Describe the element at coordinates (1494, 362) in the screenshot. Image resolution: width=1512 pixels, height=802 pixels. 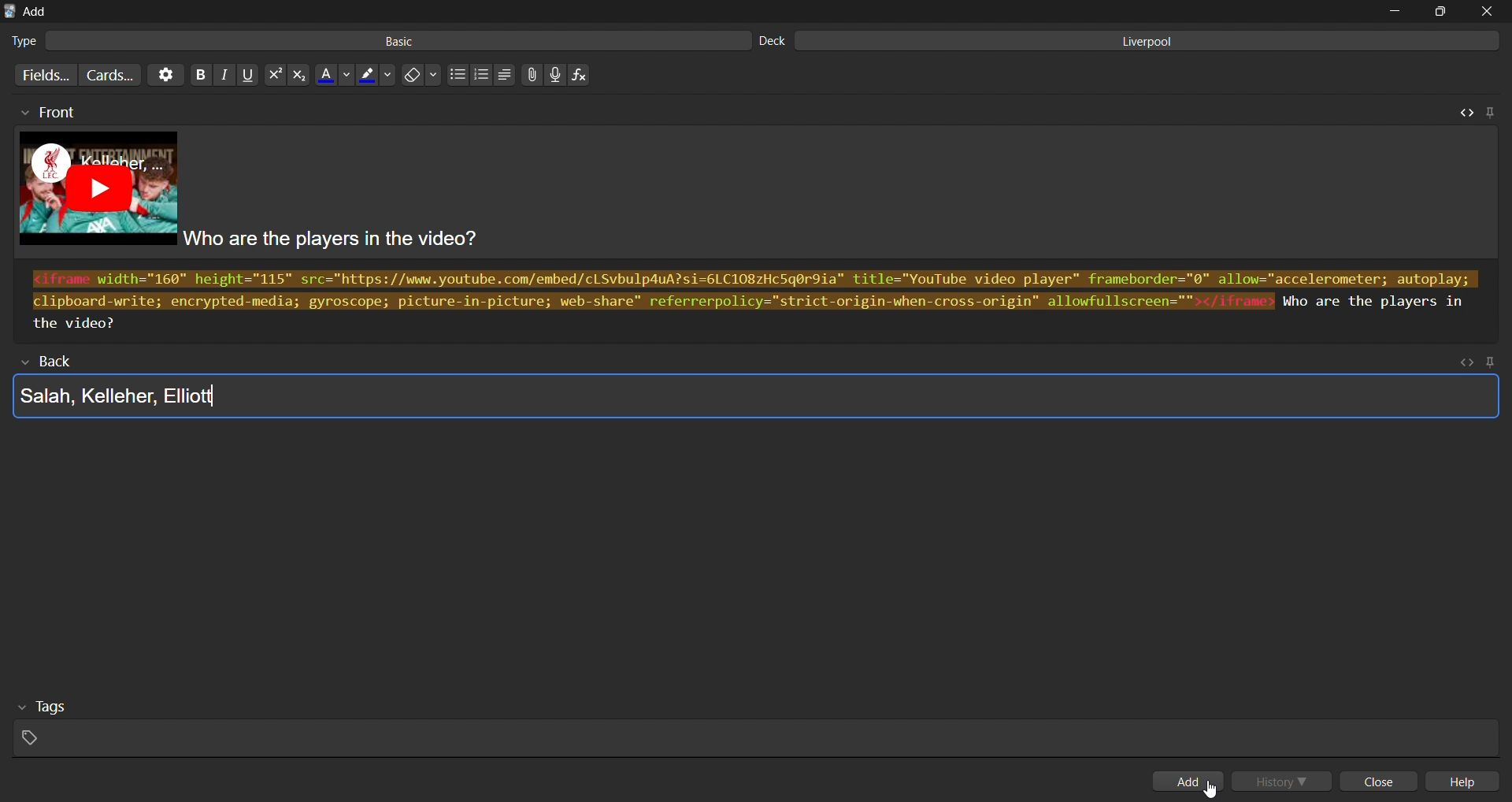
I see `pin` at that location.